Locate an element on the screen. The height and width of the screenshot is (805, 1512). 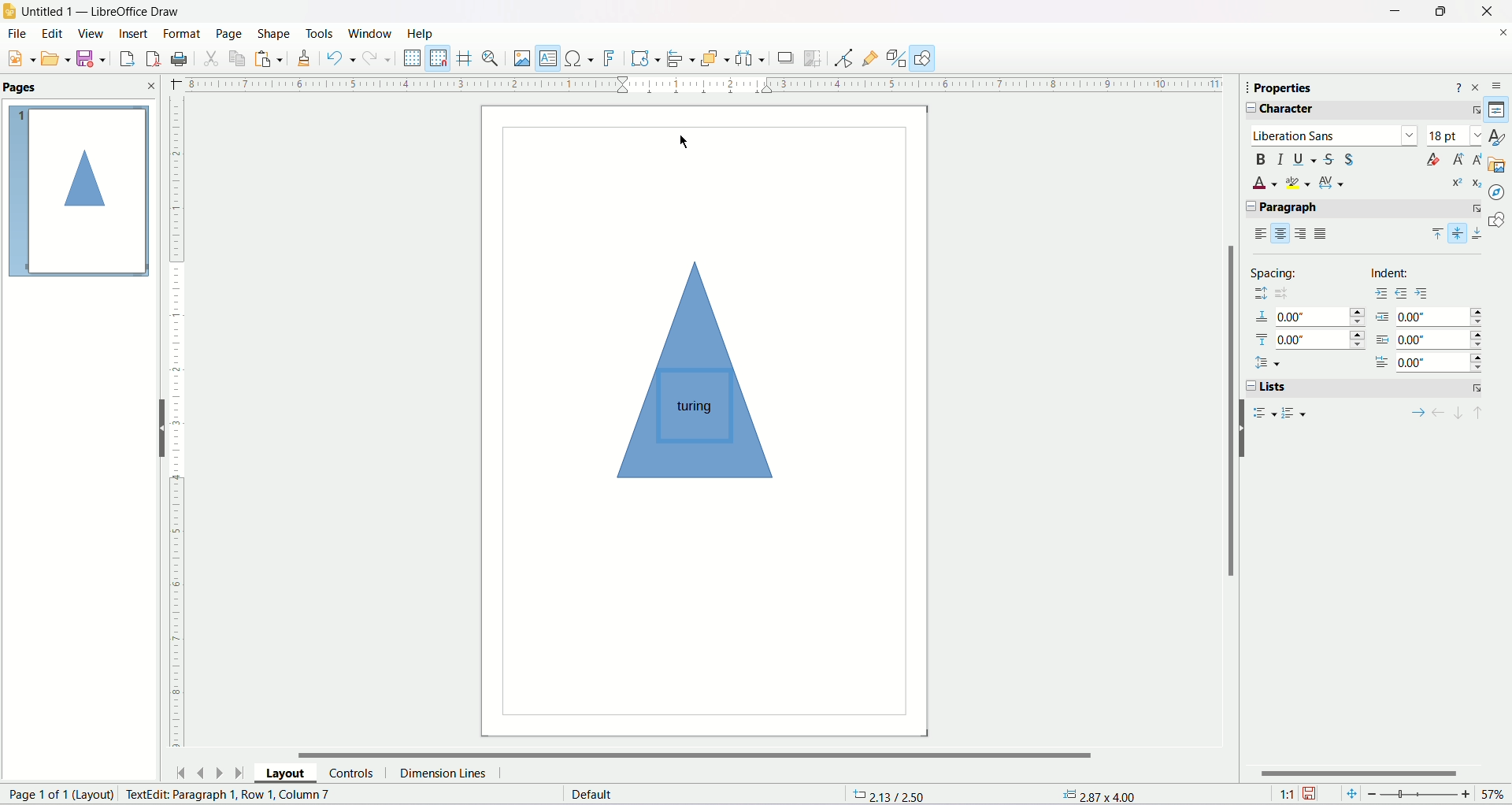
Tools is located at coordinates (320, 33).